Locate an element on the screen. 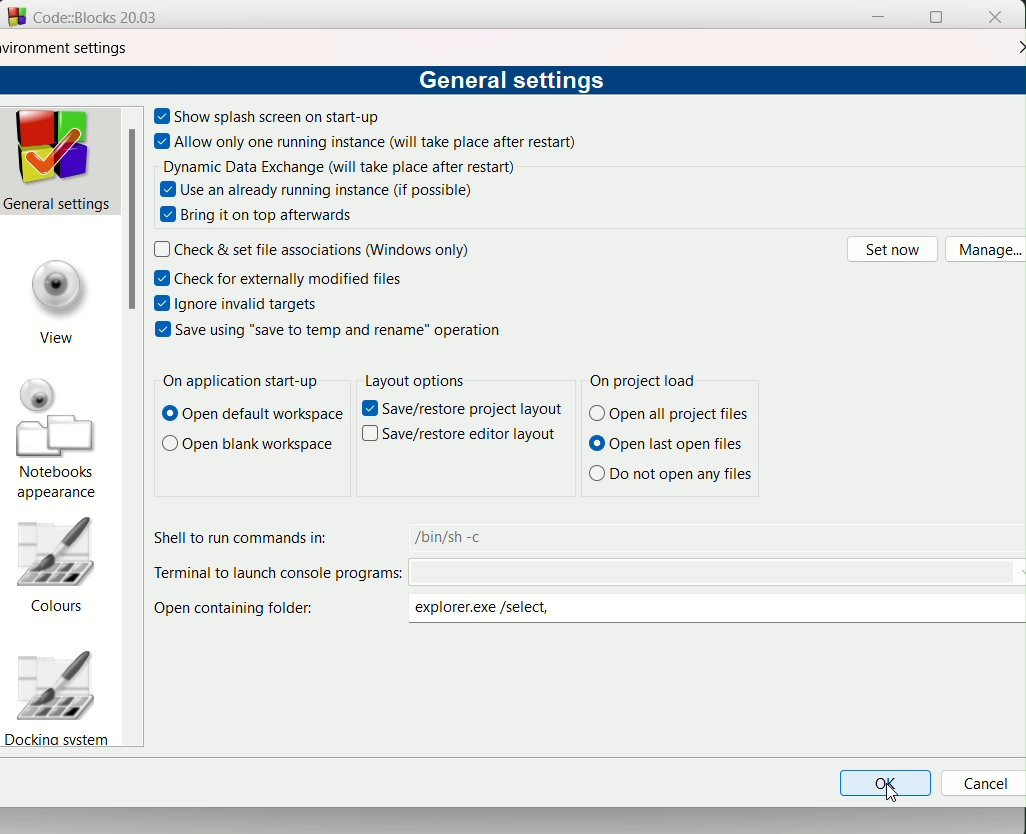 This screenshot has width=1026, height=834. manage is located at coordinates (985, 251).